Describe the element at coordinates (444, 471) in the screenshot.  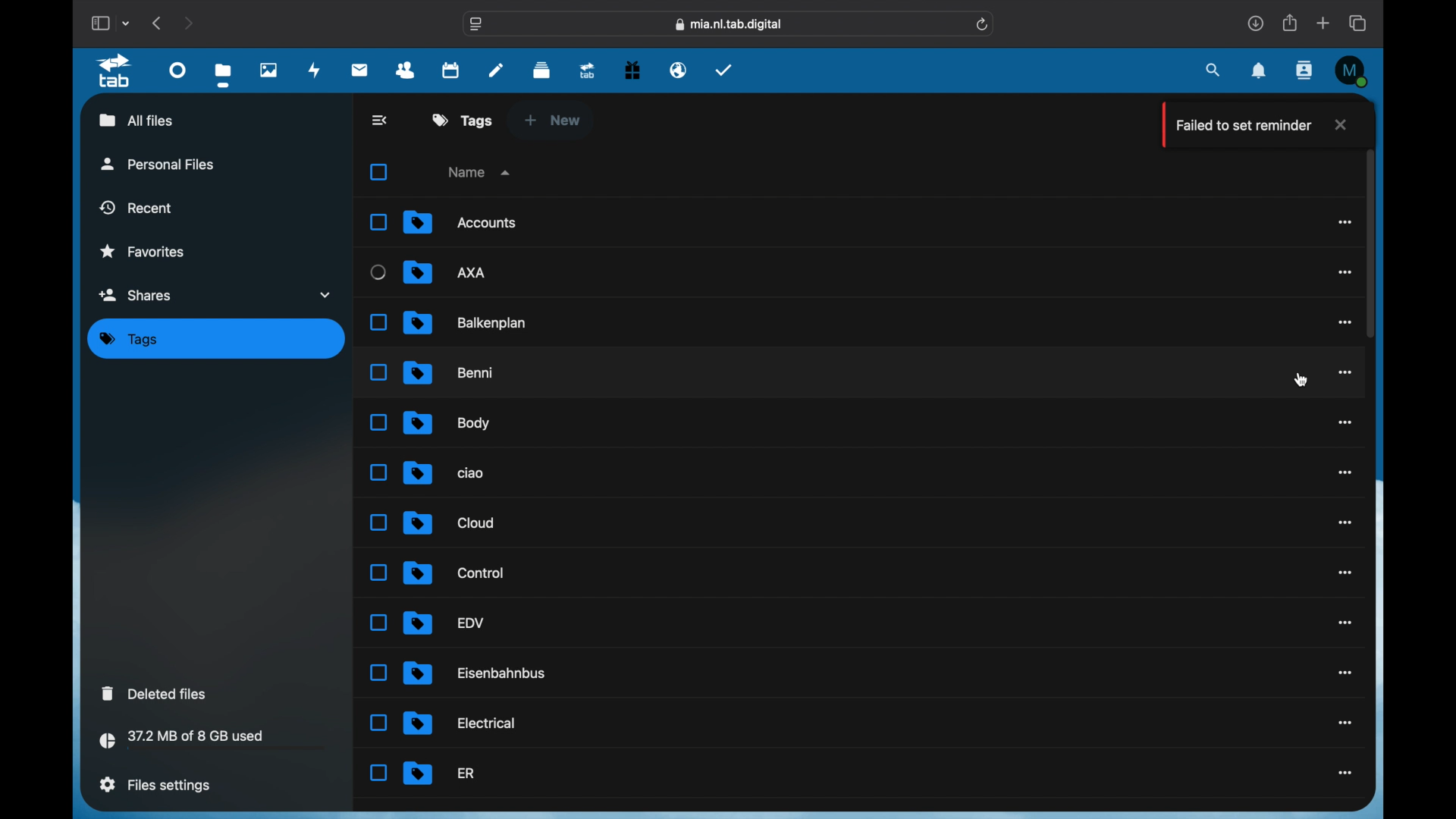
I see `file` at that location.